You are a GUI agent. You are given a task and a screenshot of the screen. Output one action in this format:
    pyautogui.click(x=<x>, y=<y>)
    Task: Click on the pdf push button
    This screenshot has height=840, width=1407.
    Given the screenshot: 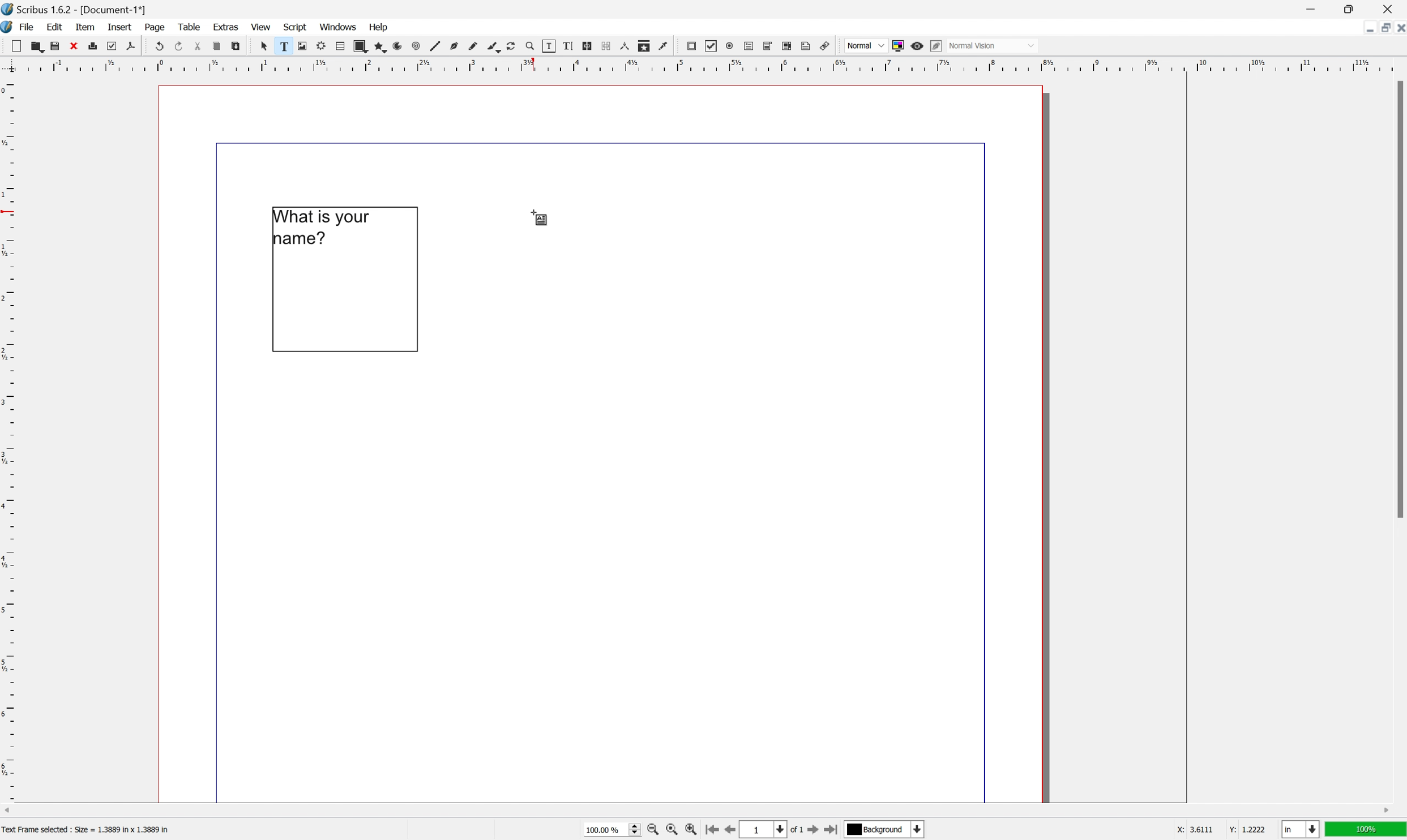 What is the action you would take?
    pyautogui.click(x=691, y=46)
    